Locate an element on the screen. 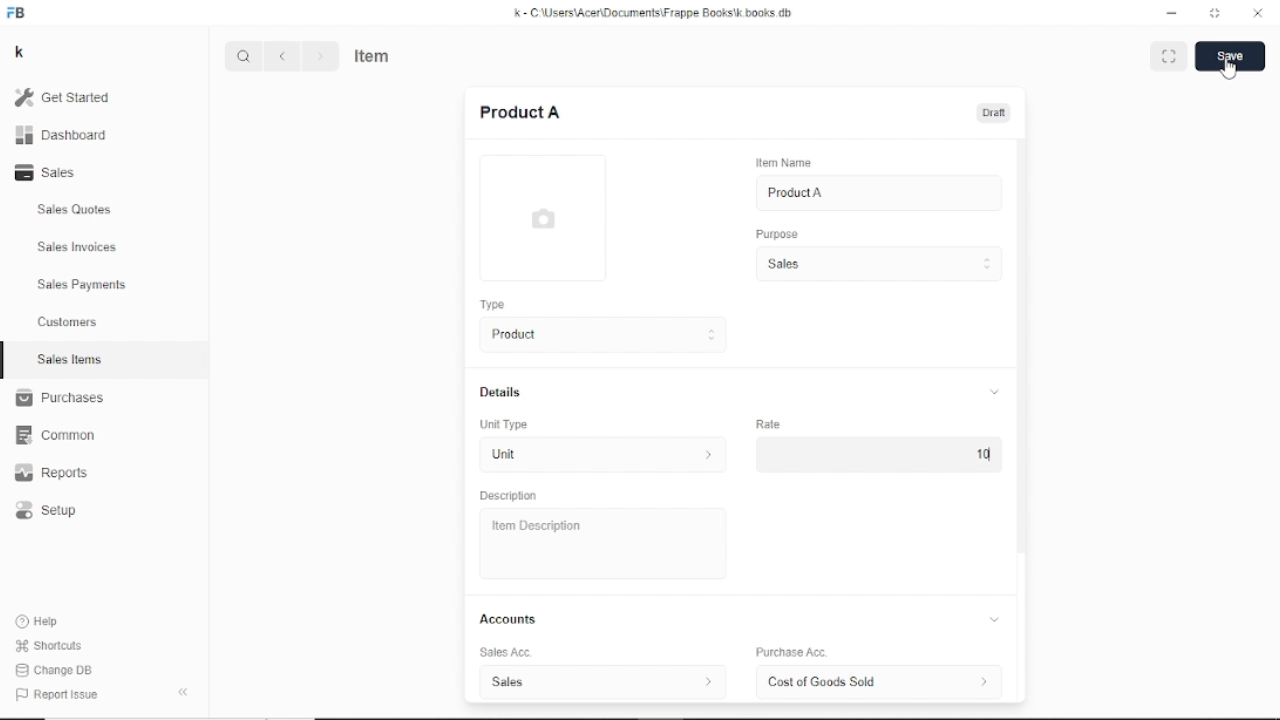 The height and width of the screenshot is (720, 1280). Search is located at coordinates (244, 56).